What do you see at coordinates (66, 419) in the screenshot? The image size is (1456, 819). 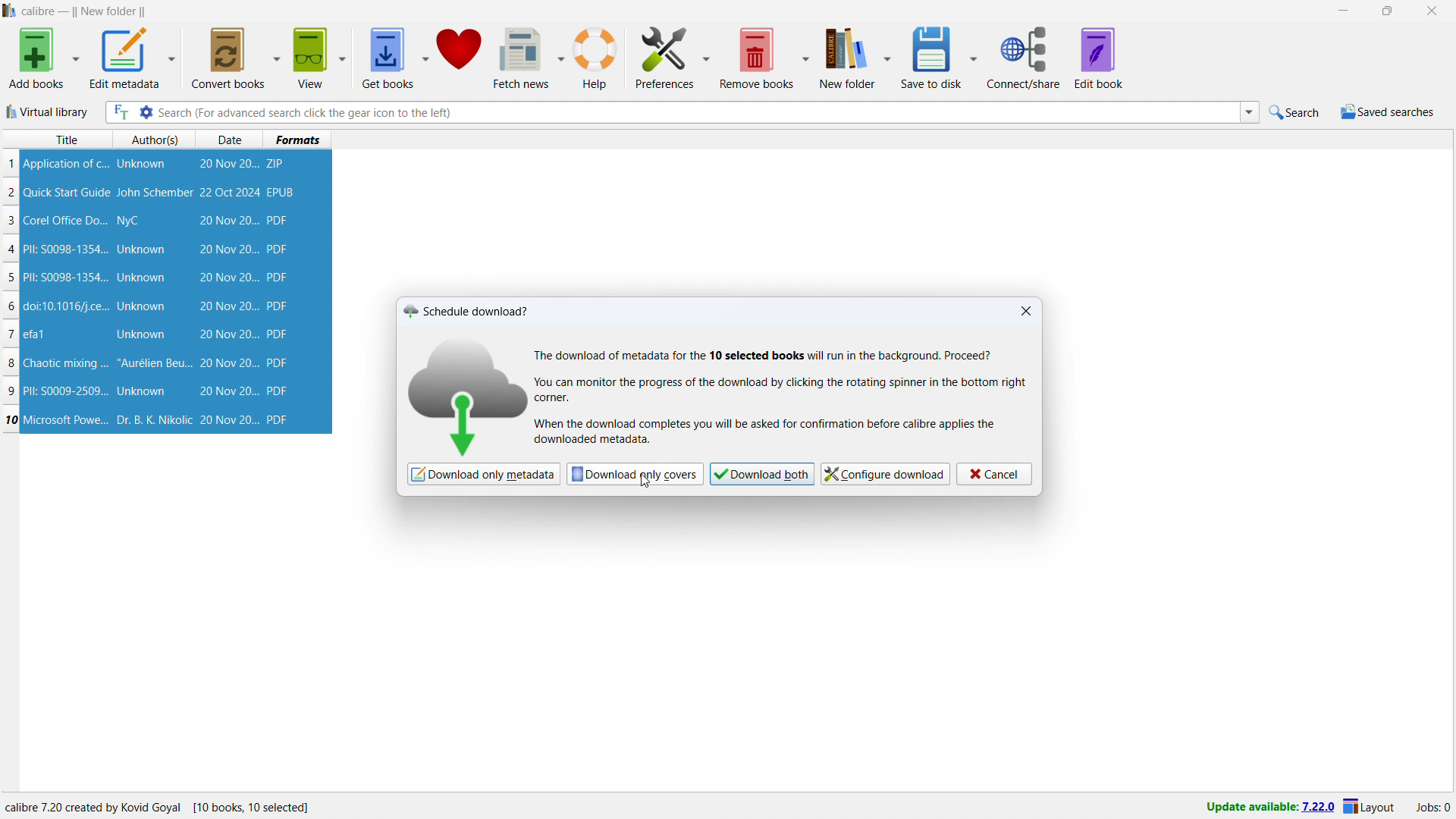 I see `Microsoft Powe...` at bounding box center [66, 419].